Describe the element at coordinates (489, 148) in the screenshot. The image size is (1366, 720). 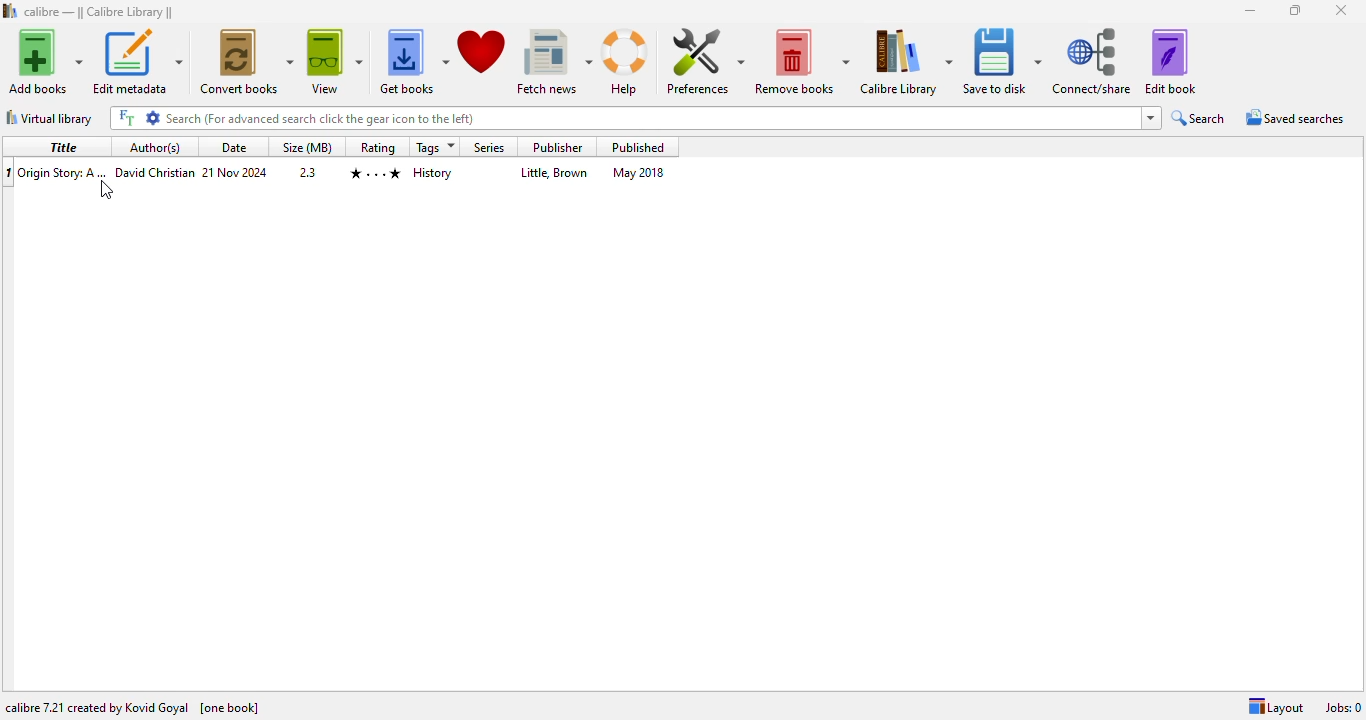
I see `series` at that location.